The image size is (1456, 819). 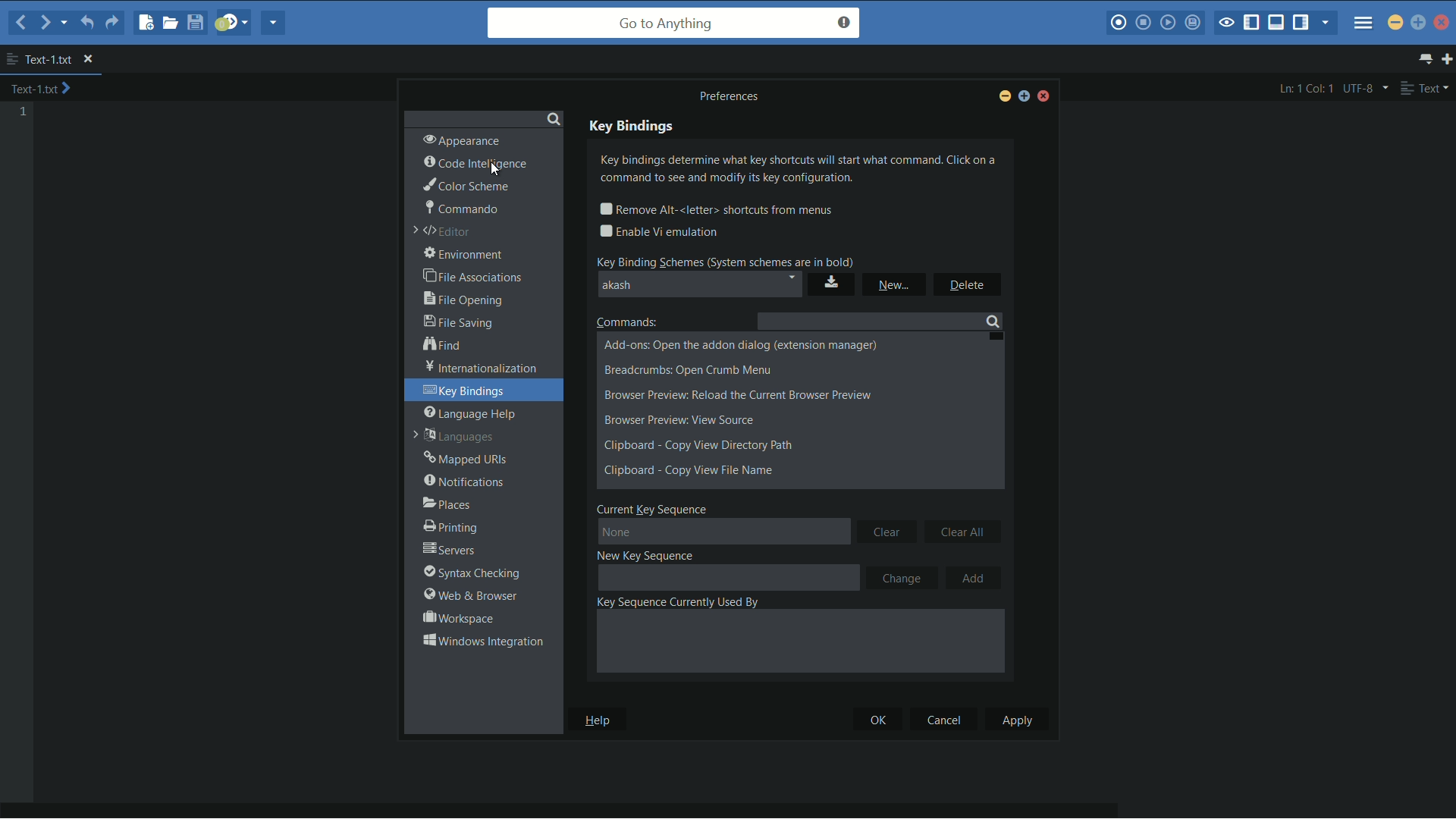 What do you see at coordinates (465, 255) in the screenshot?
I see `environment` at bounding box center [465, 255].